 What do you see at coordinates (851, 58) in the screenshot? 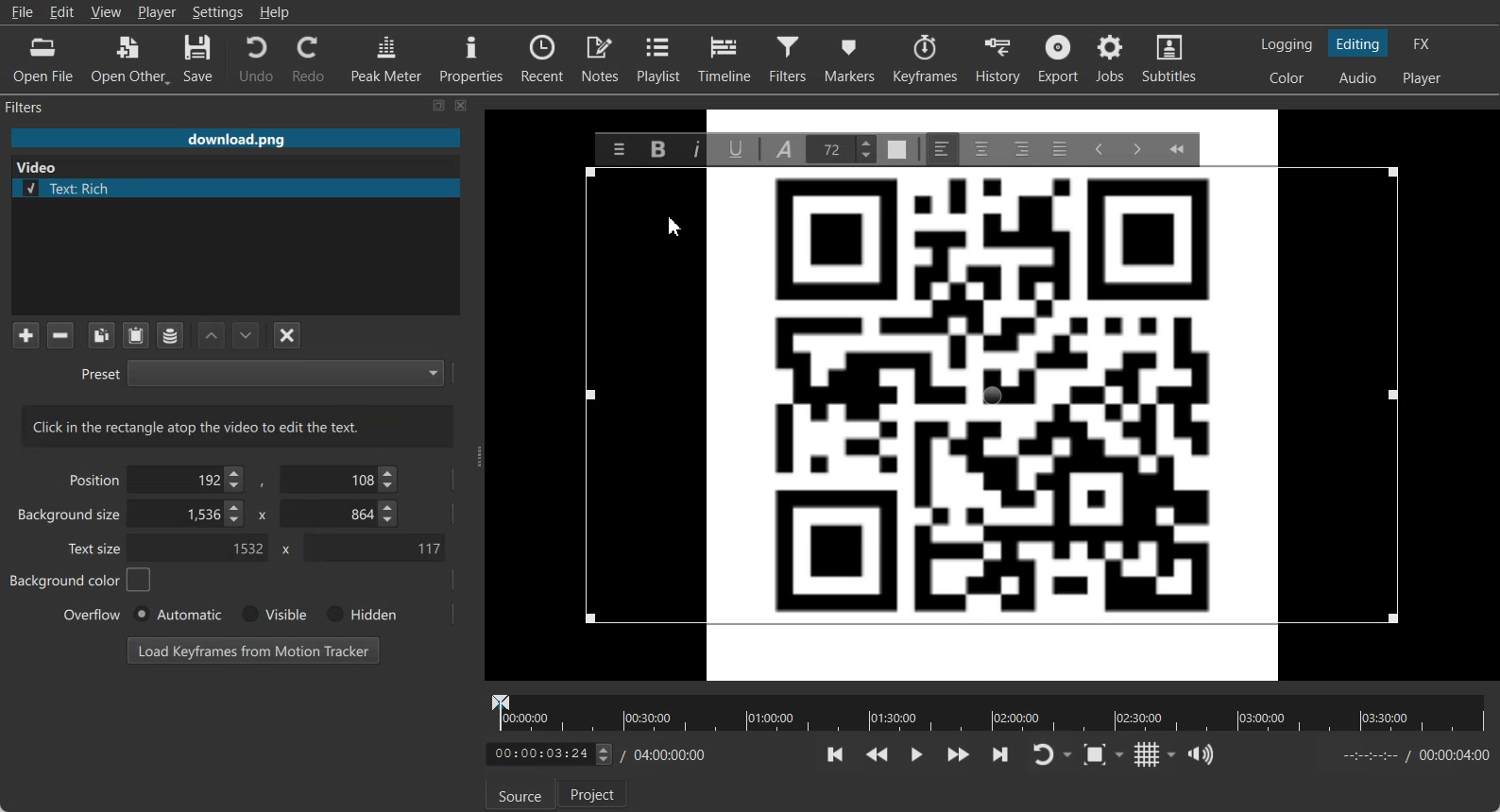
I see `Markers` at bounding box center [851, 58].